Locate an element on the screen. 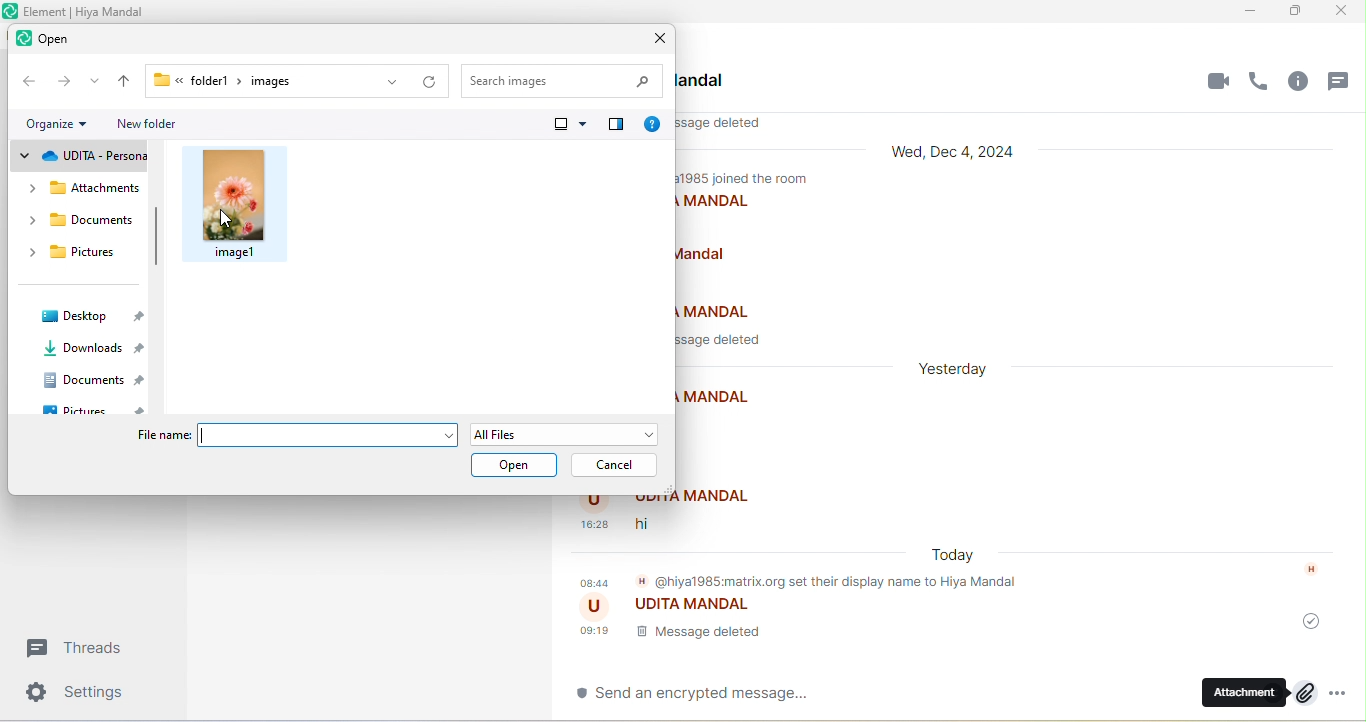 The image size is (1366, 722). udita mandal is located at coordinates (678, 607).